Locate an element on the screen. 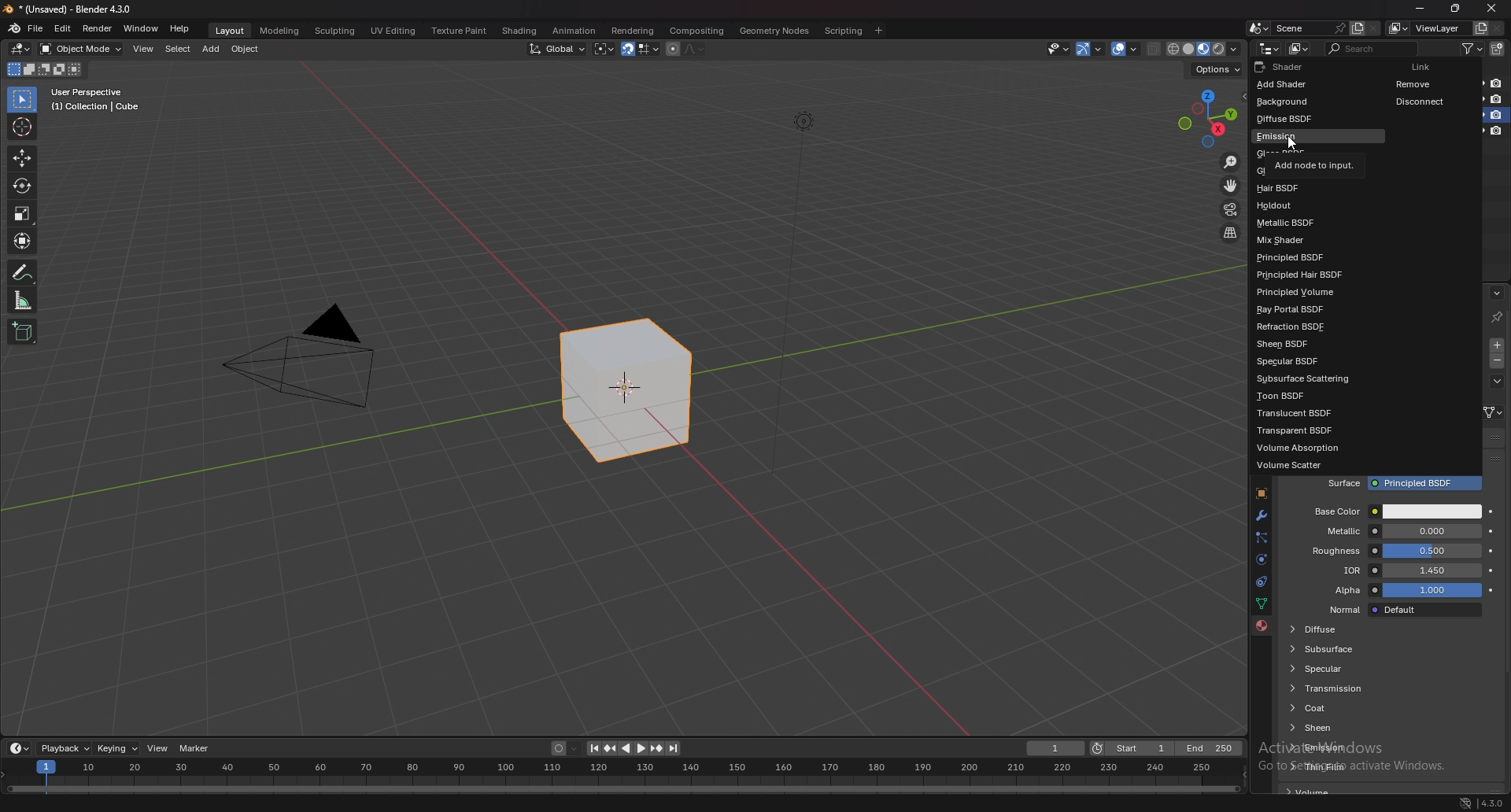 This screenshot has height=812, width=1511. add shader is located at coordinates (1289, 86).